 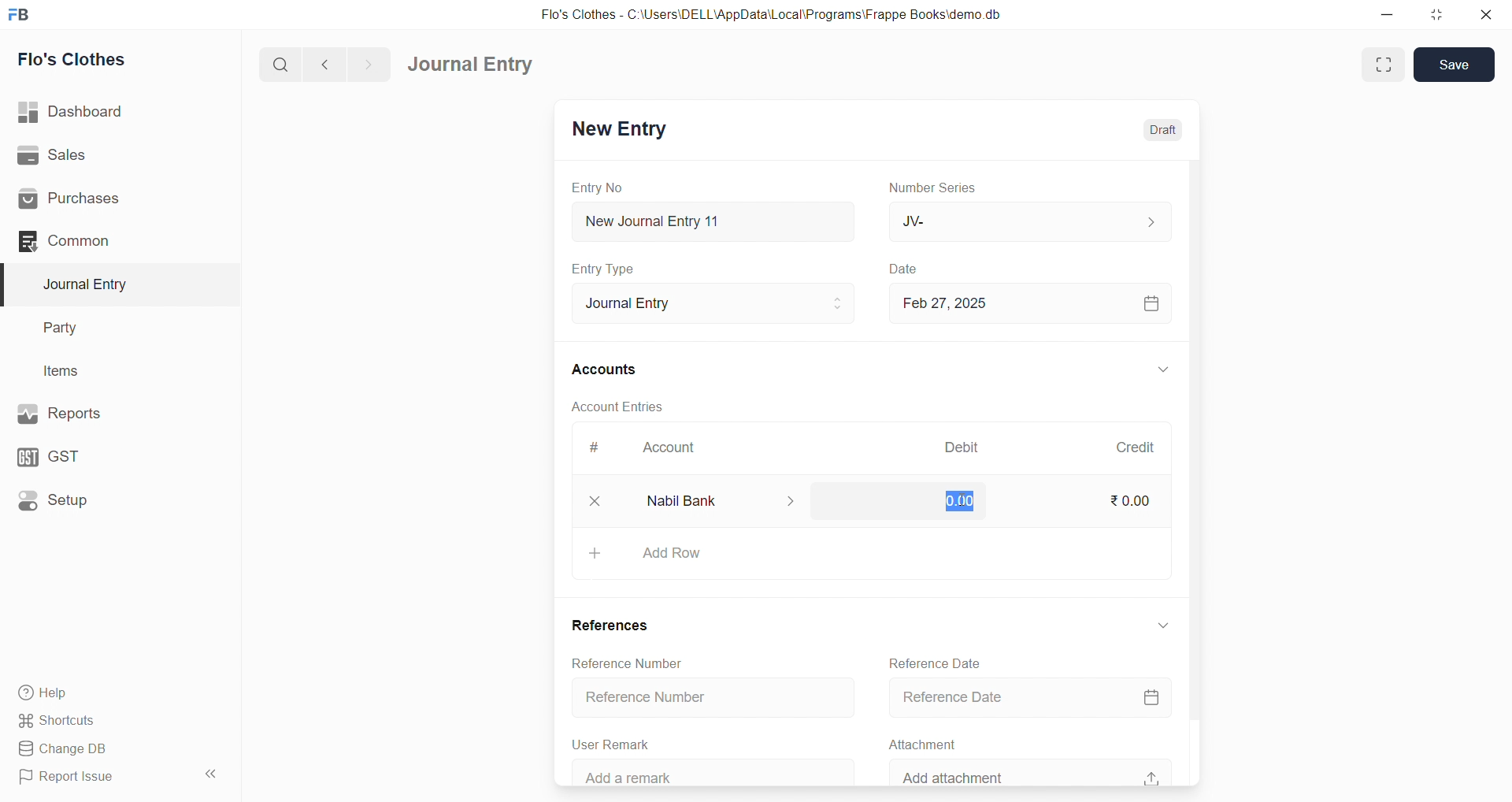 What do you see at coordinates (1384, 13) in the screenshot?
I see `minimize` at bounding box center [1384, 13].